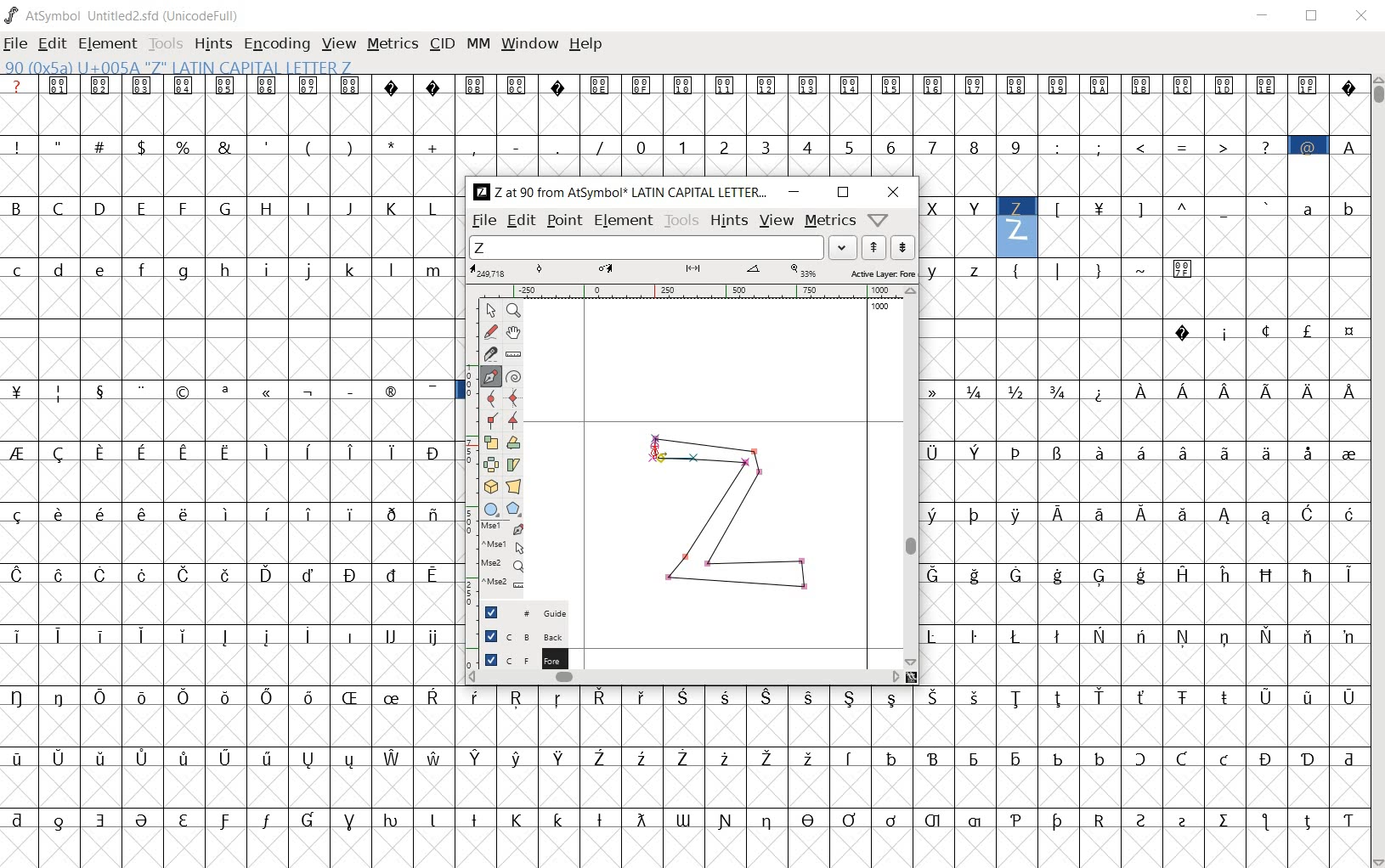 The width and height of the screenshot is (1385, 868). What do you see at coordinates (489, 376) in the screenshot?
I see `add a point, then drag out its control points` at bounding box center [489, 376].